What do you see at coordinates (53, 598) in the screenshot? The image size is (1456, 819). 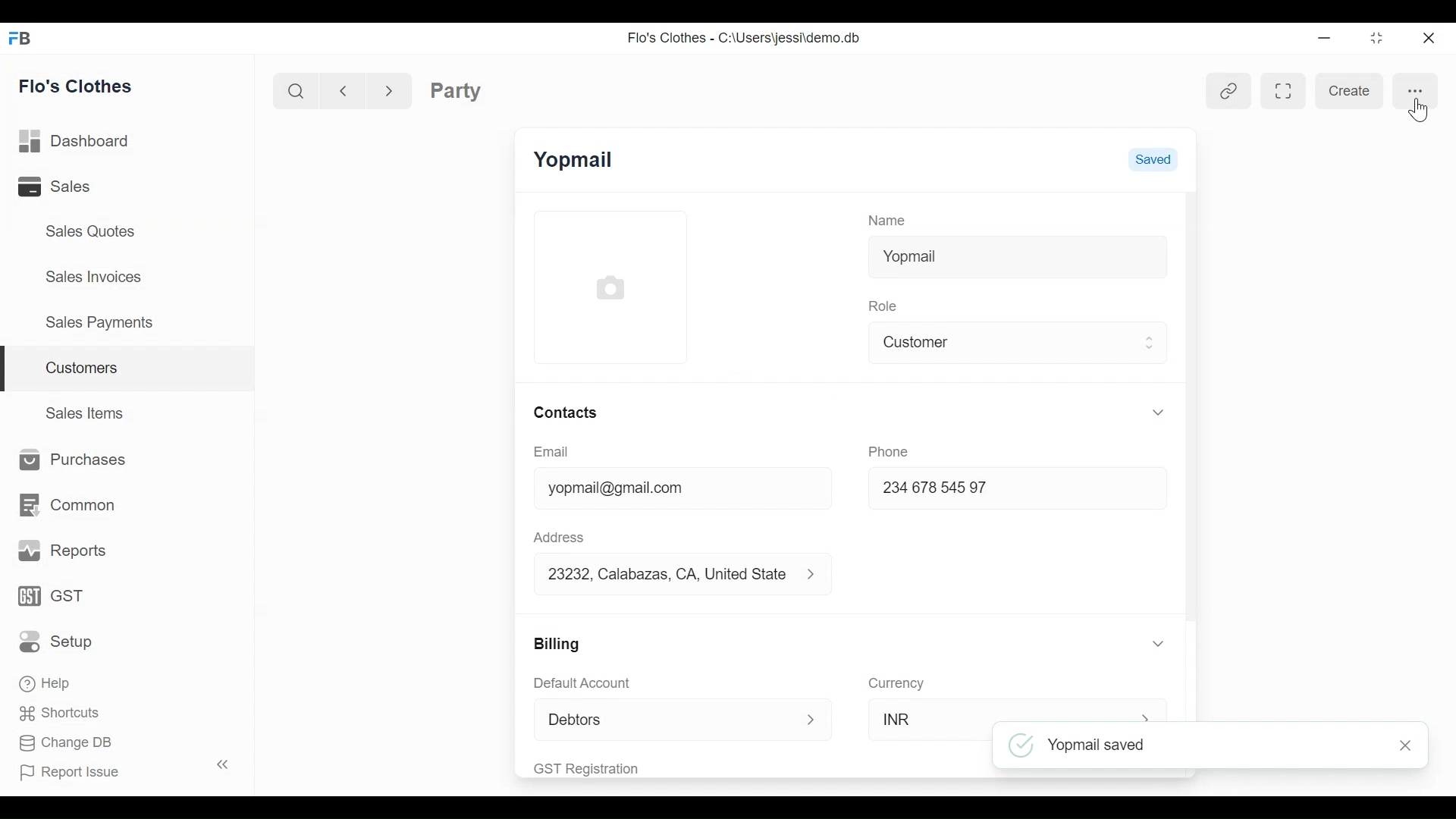 I see `GST` at bounding box center [53, 598].